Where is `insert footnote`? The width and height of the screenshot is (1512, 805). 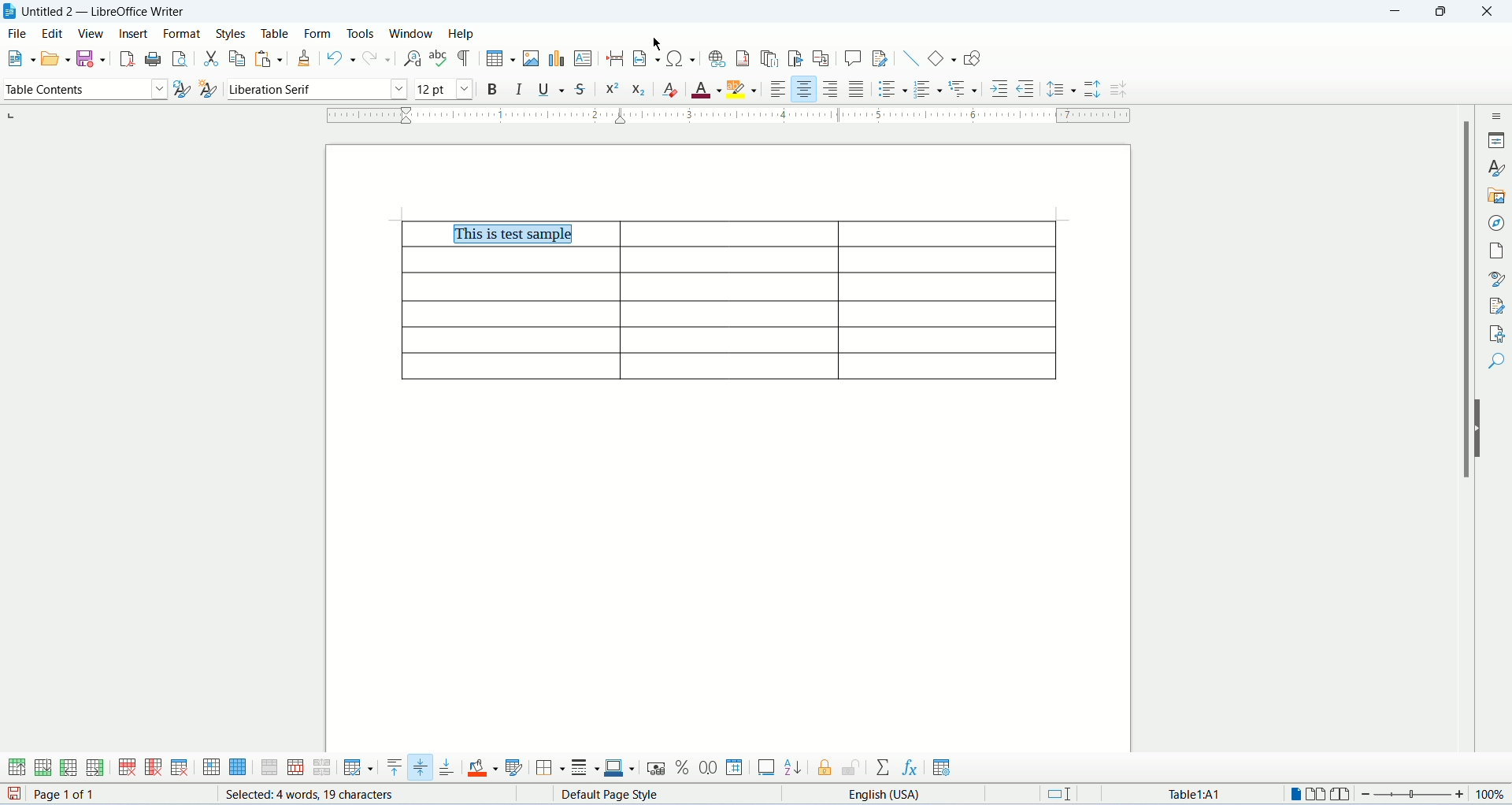
insert footnote is located at coordinates (743, 57).